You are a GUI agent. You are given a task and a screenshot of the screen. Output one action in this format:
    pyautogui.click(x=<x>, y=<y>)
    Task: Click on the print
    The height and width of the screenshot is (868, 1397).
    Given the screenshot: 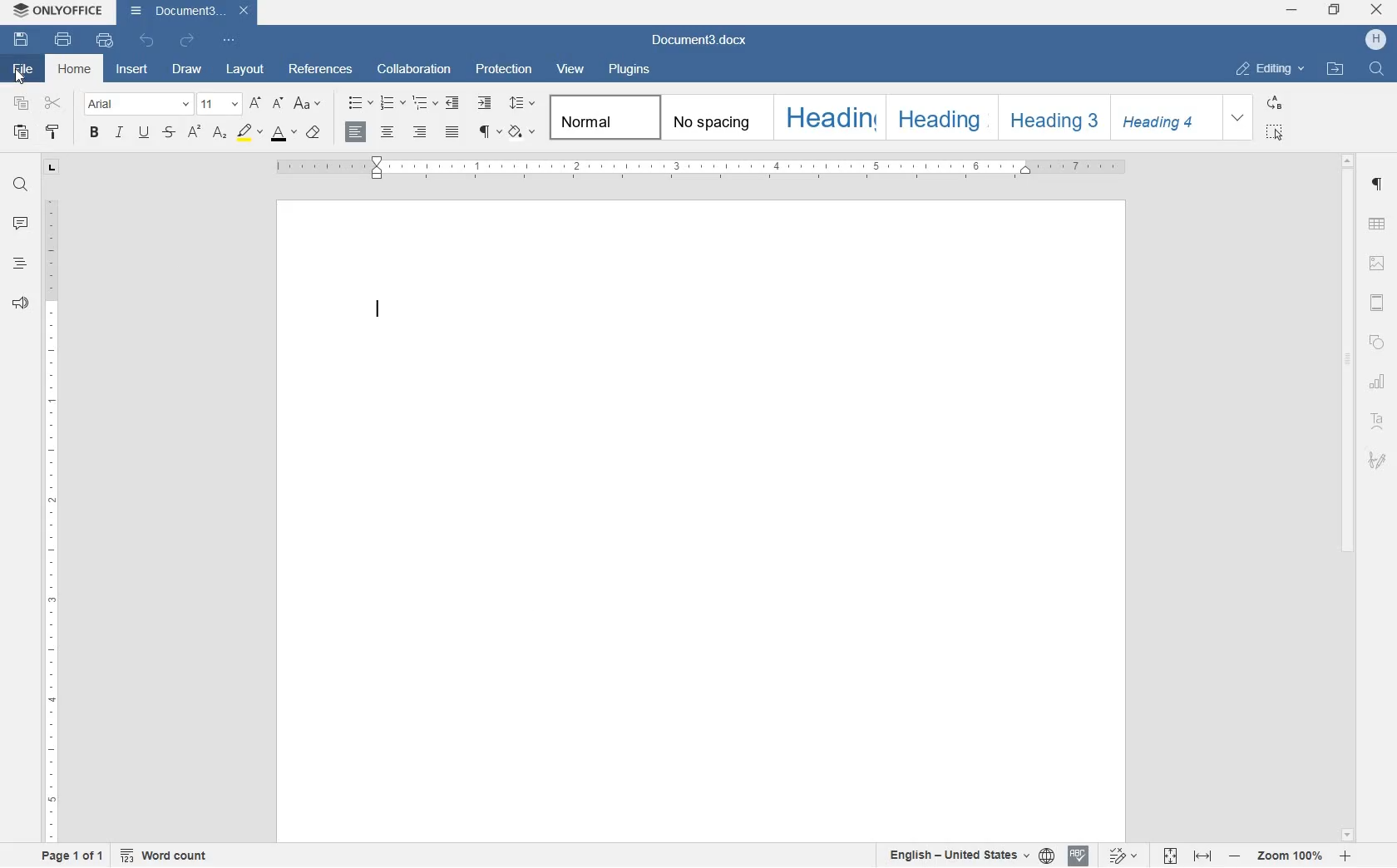 What is the action you would take?
    pyautogui.click(x=62, y=40)
    